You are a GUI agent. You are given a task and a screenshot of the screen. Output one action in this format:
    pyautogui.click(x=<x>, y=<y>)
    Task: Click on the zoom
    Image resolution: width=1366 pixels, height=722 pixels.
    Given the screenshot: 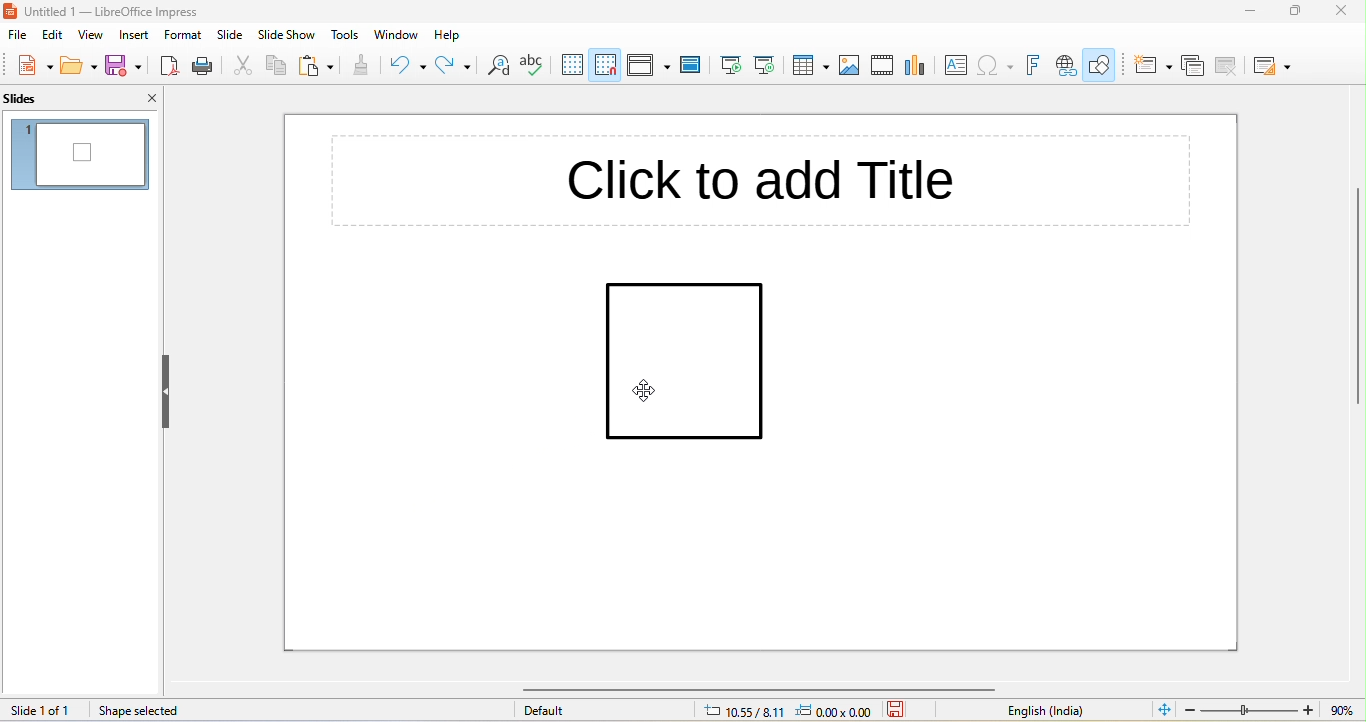 What is the action you would take?
    pyautogui.click(x=1274, y=709)
    